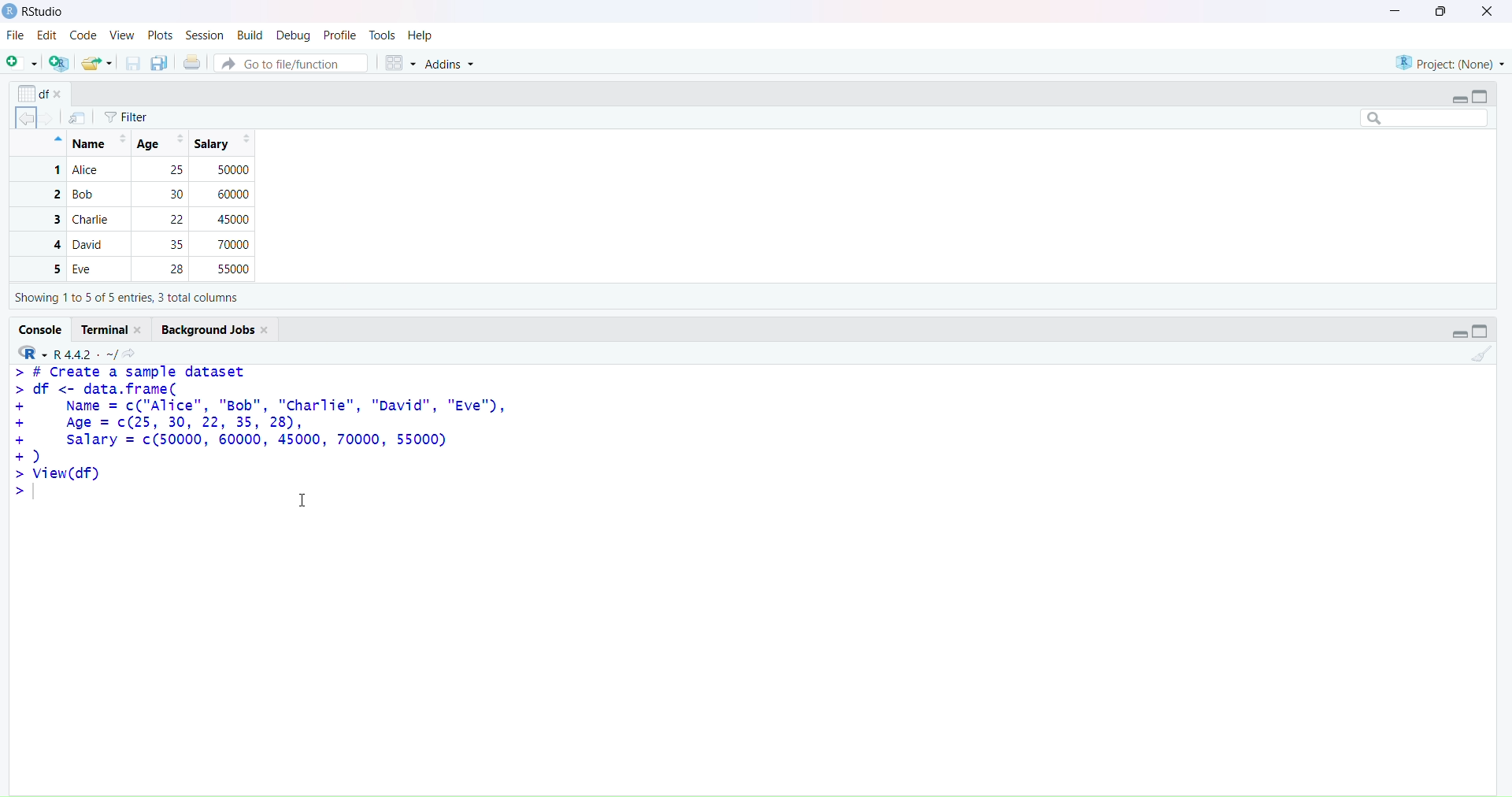  What do you see at coordinates (454, 65) in the screenshot?
I see `addins` at bounding box center [454, 65].